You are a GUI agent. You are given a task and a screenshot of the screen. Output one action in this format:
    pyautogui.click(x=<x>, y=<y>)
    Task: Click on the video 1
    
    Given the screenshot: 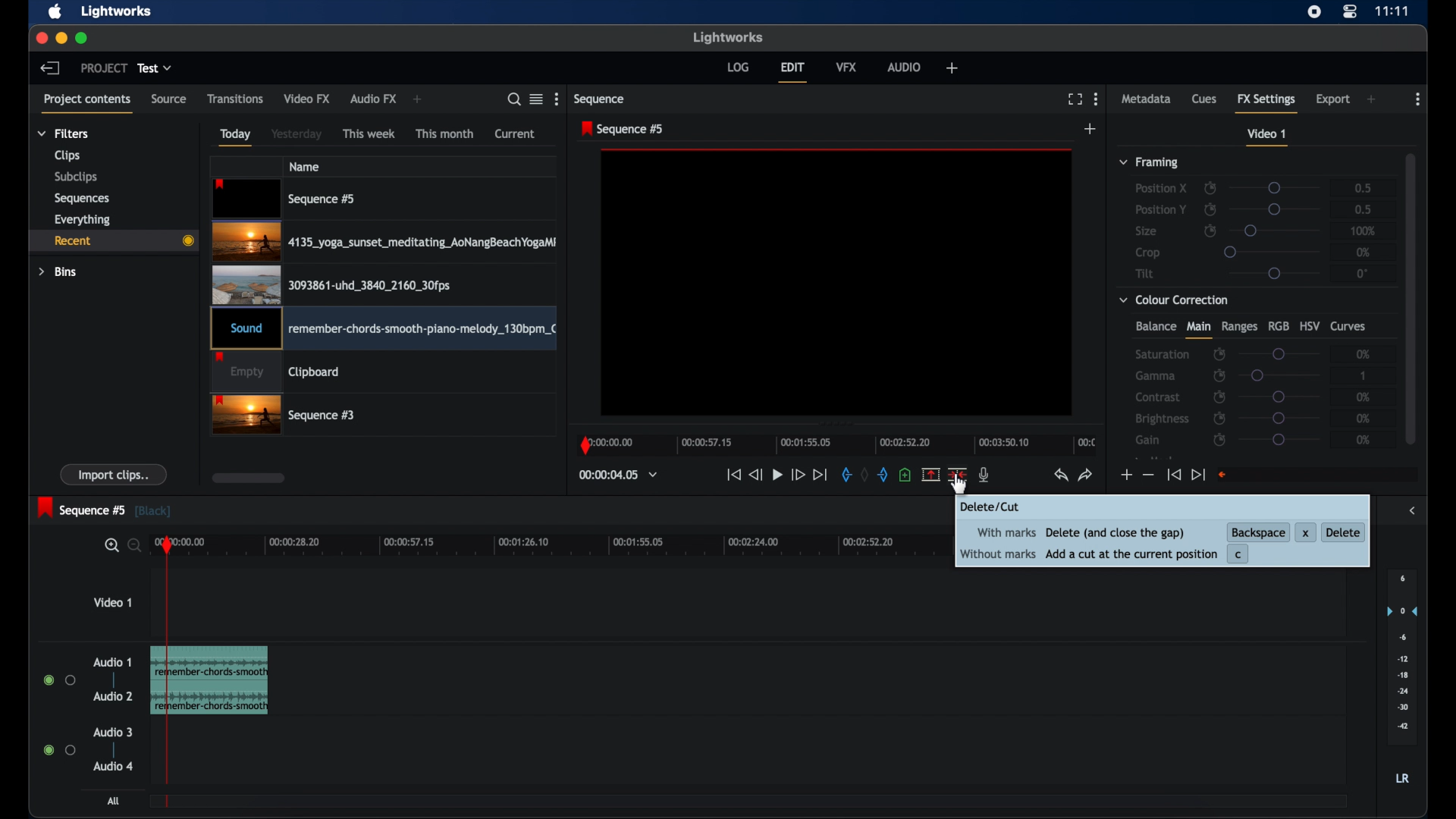 What is the action you would take?
    pyautogui.click(x=112, y=601)
    